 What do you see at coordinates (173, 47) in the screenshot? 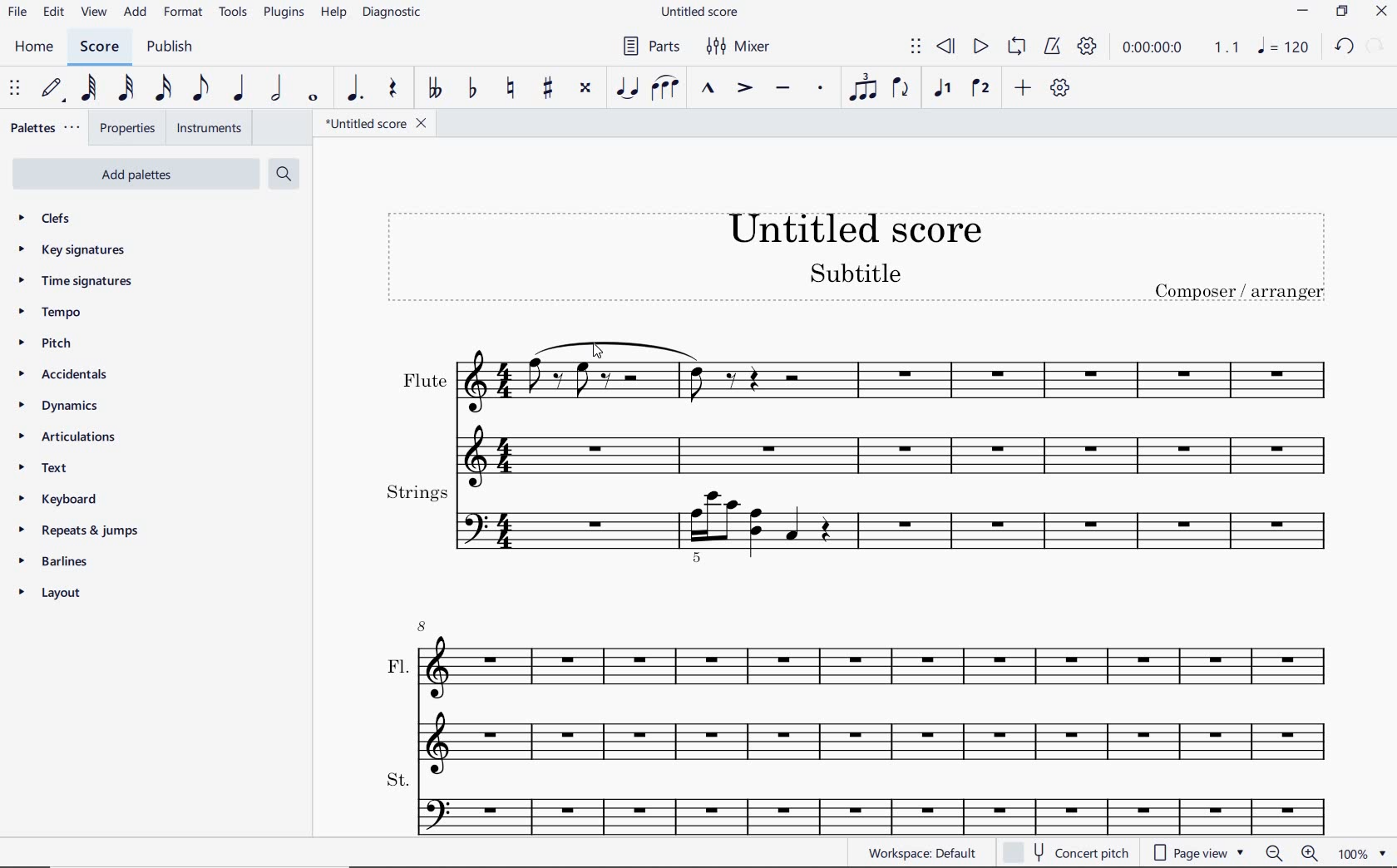
I see `PUBLISH` at bounding box center [173, 47].